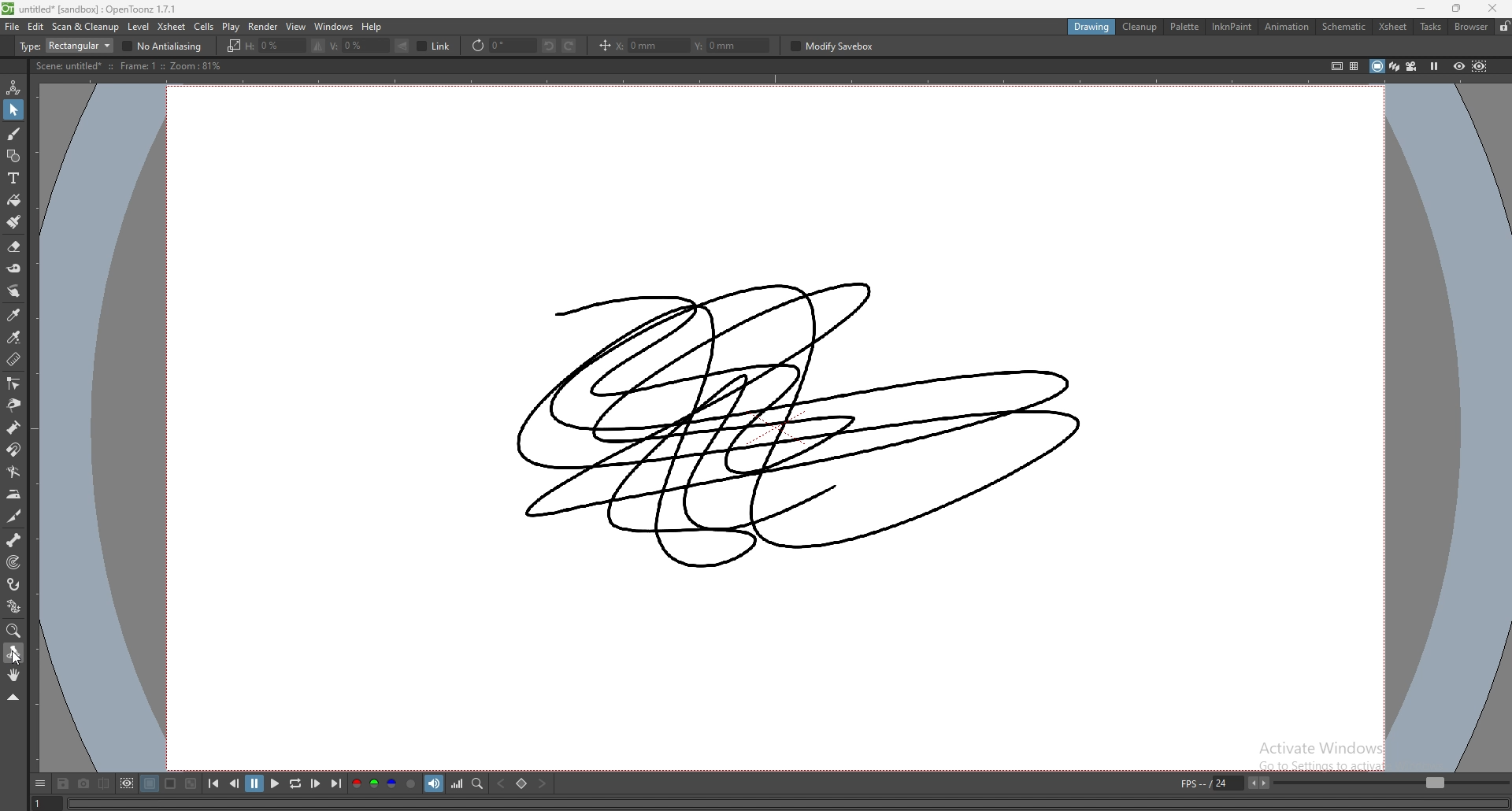 The image size is (1512, 811). What do you see at coordinates (13, 361) in the screenshot?
I see `ruler` at bounding box center [13, 361].